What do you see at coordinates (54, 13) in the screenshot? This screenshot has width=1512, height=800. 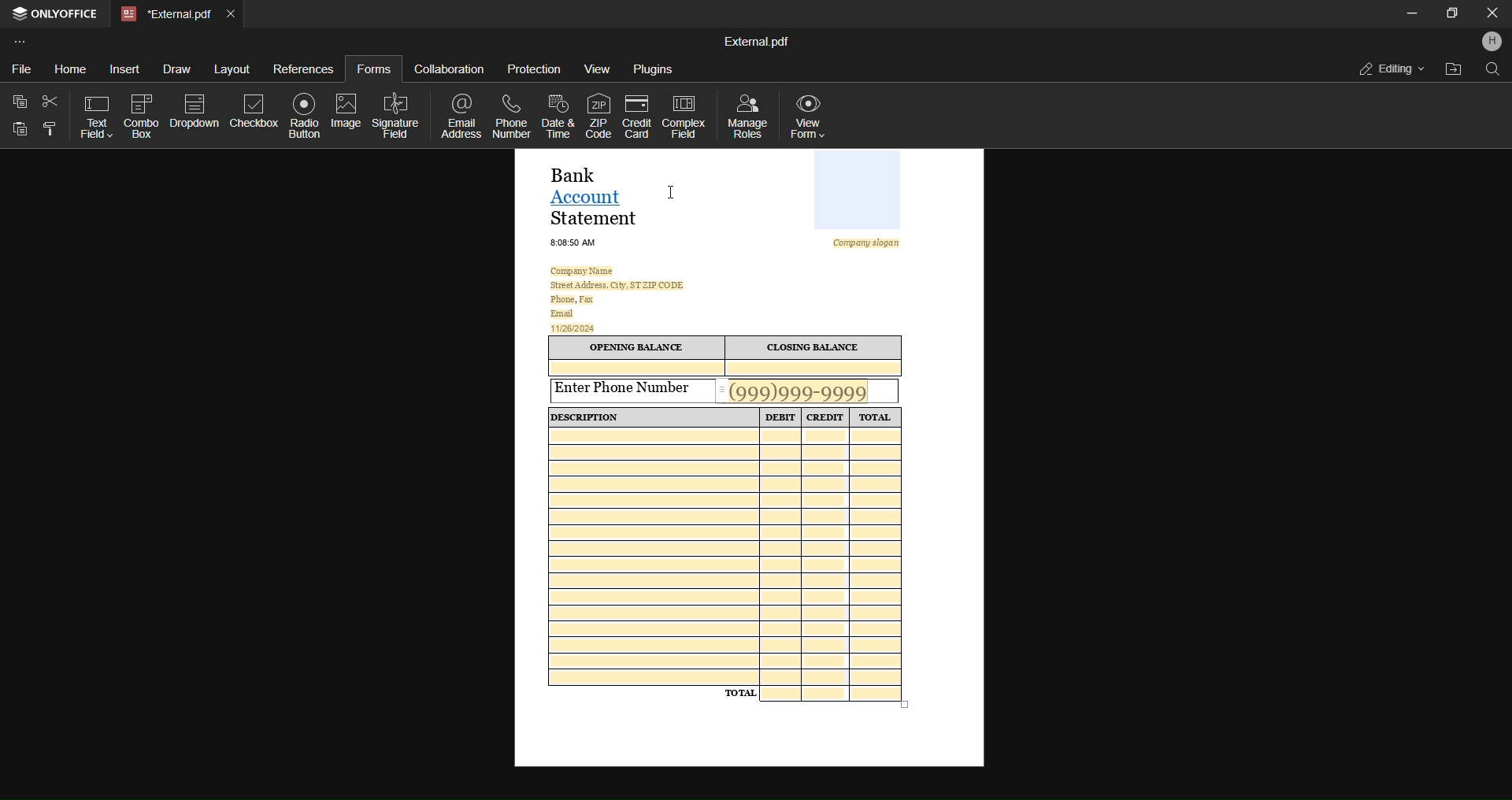 I see `ONLYOFFICE application name` at bounding box center [54, 13].